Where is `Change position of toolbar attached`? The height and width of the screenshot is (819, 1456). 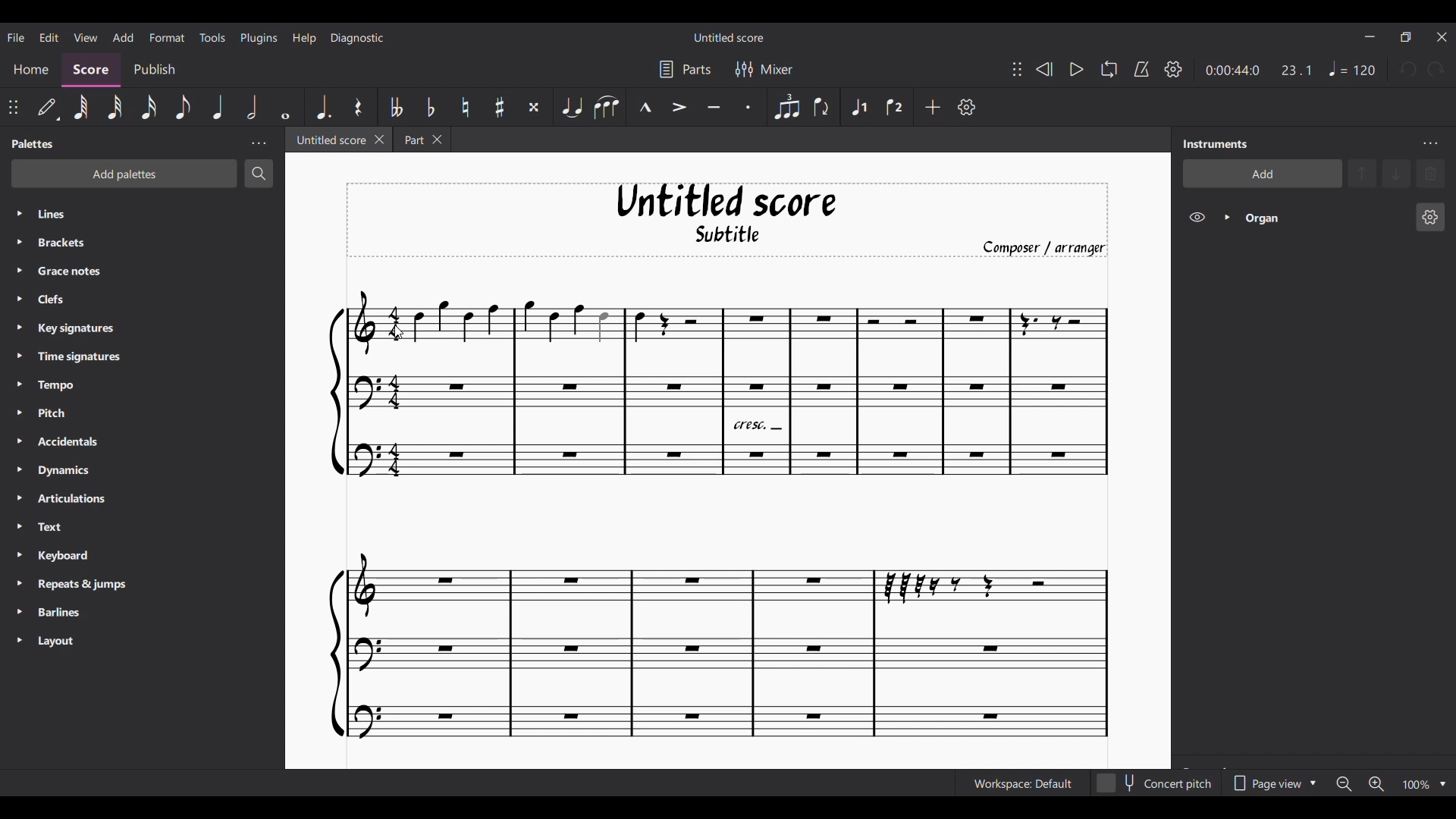 Change position of toolbar attached is located at coordinates (13, 107).